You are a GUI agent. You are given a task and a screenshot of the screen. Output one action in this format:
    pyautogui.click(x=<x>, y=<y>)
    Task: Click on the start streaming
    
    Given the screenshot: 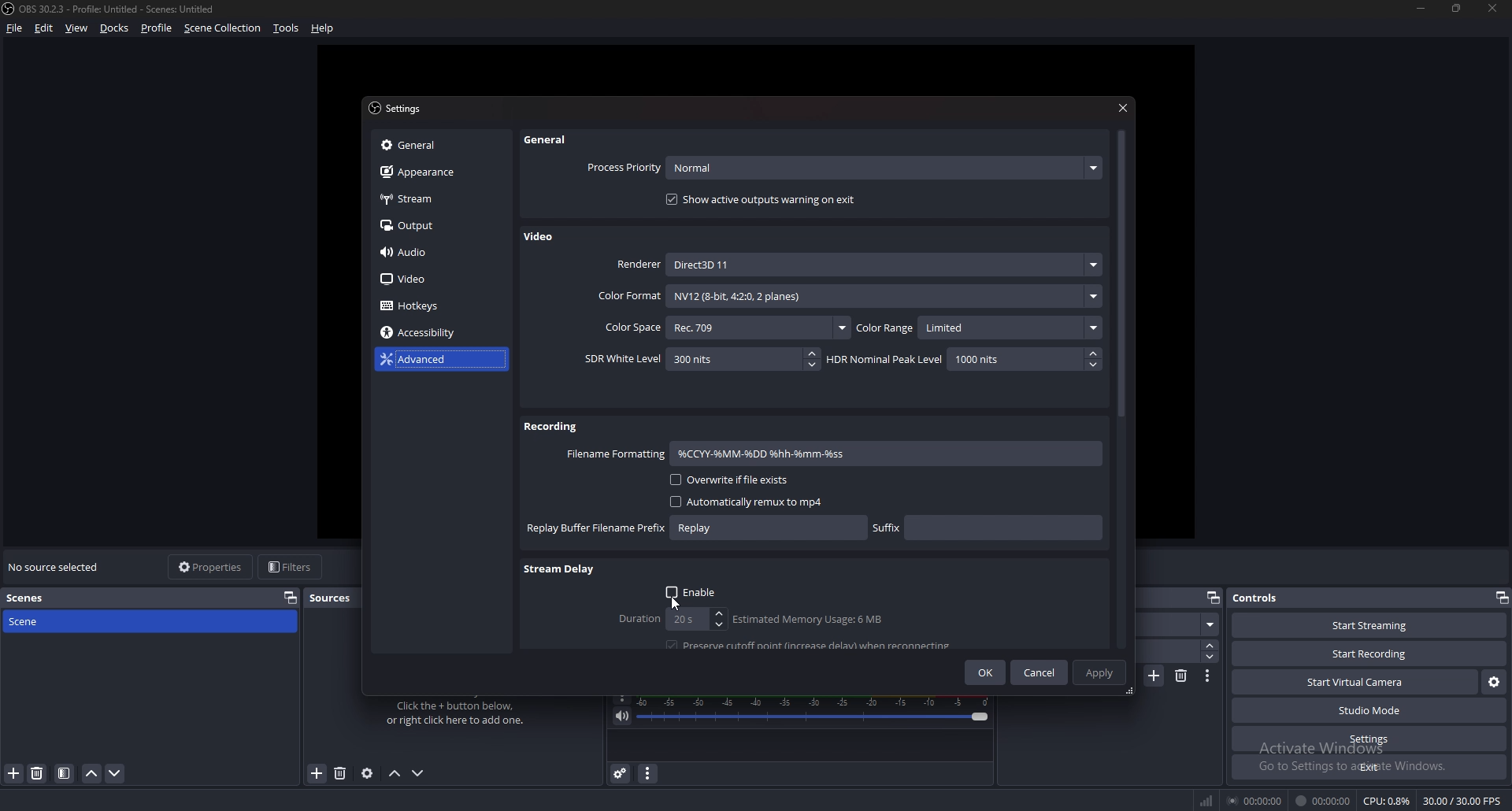 What is the action you would take?
    pyautogui.click(x=1369, y=625)
    